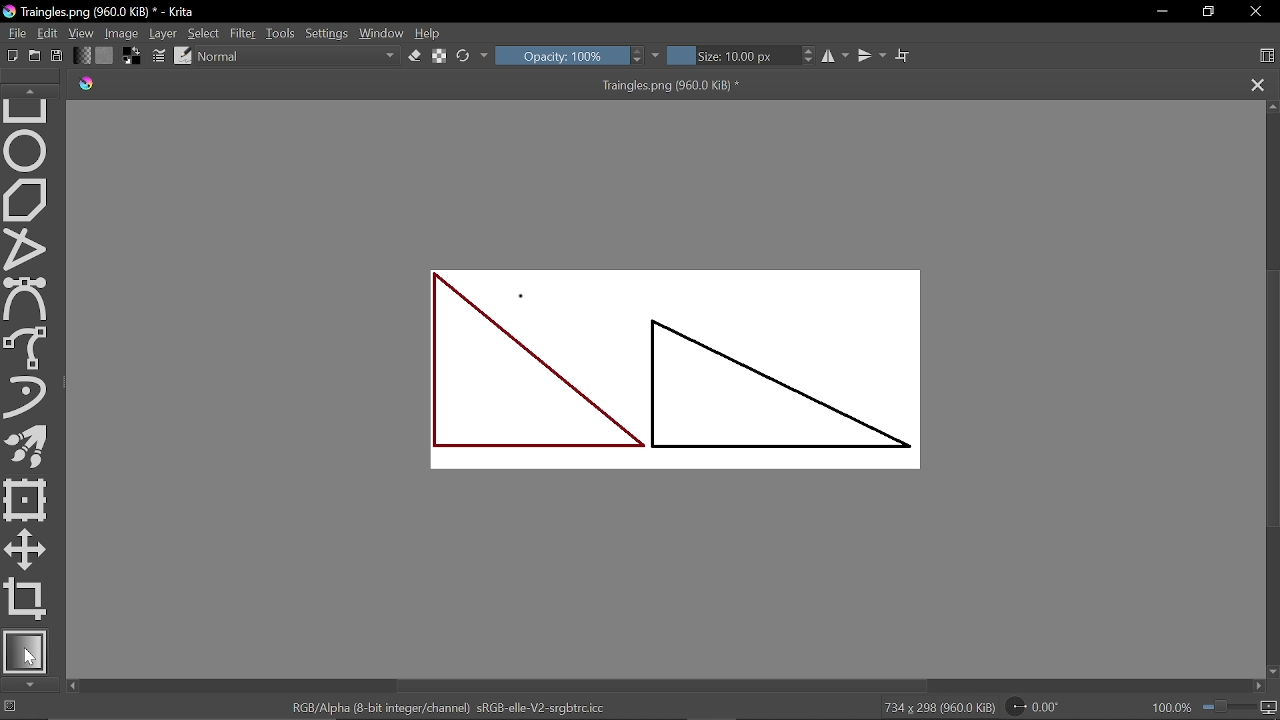 This screenshot has height=720, width=1280. I want to click on Settings, so click(328, 33).